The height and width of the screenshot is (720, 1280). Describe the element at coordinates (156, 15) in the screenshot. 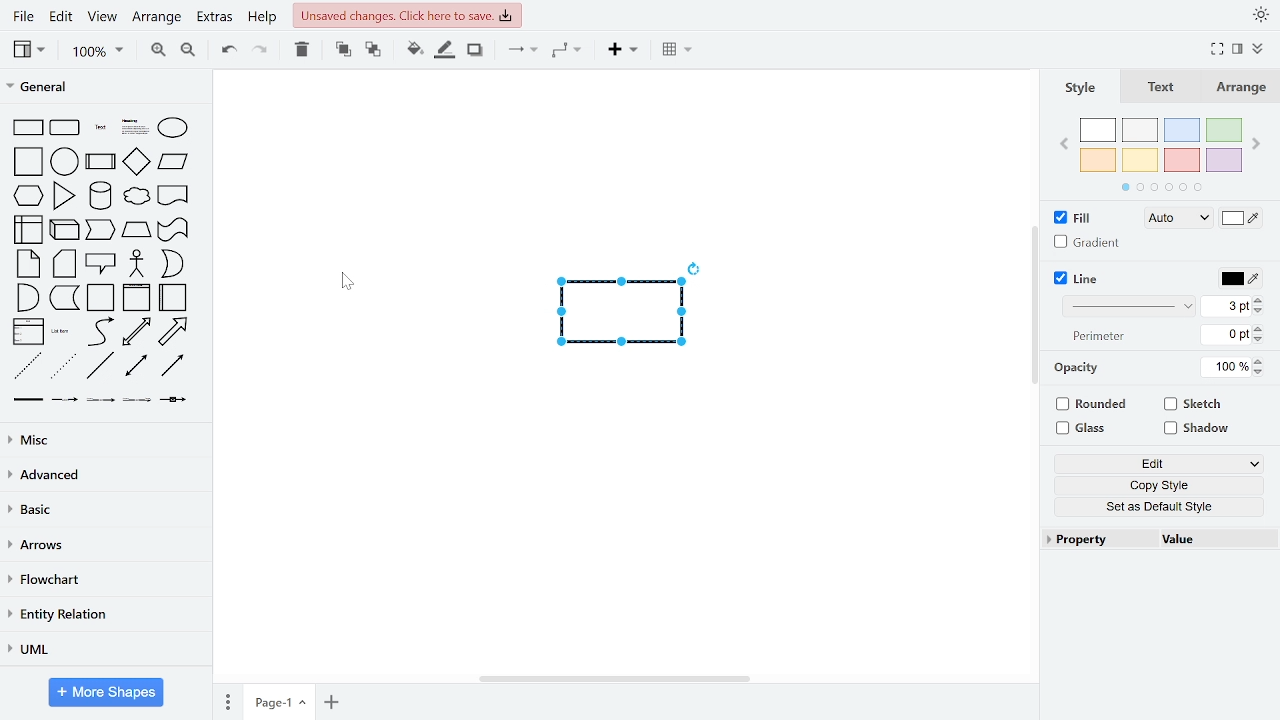

I see `arrange` at that location.